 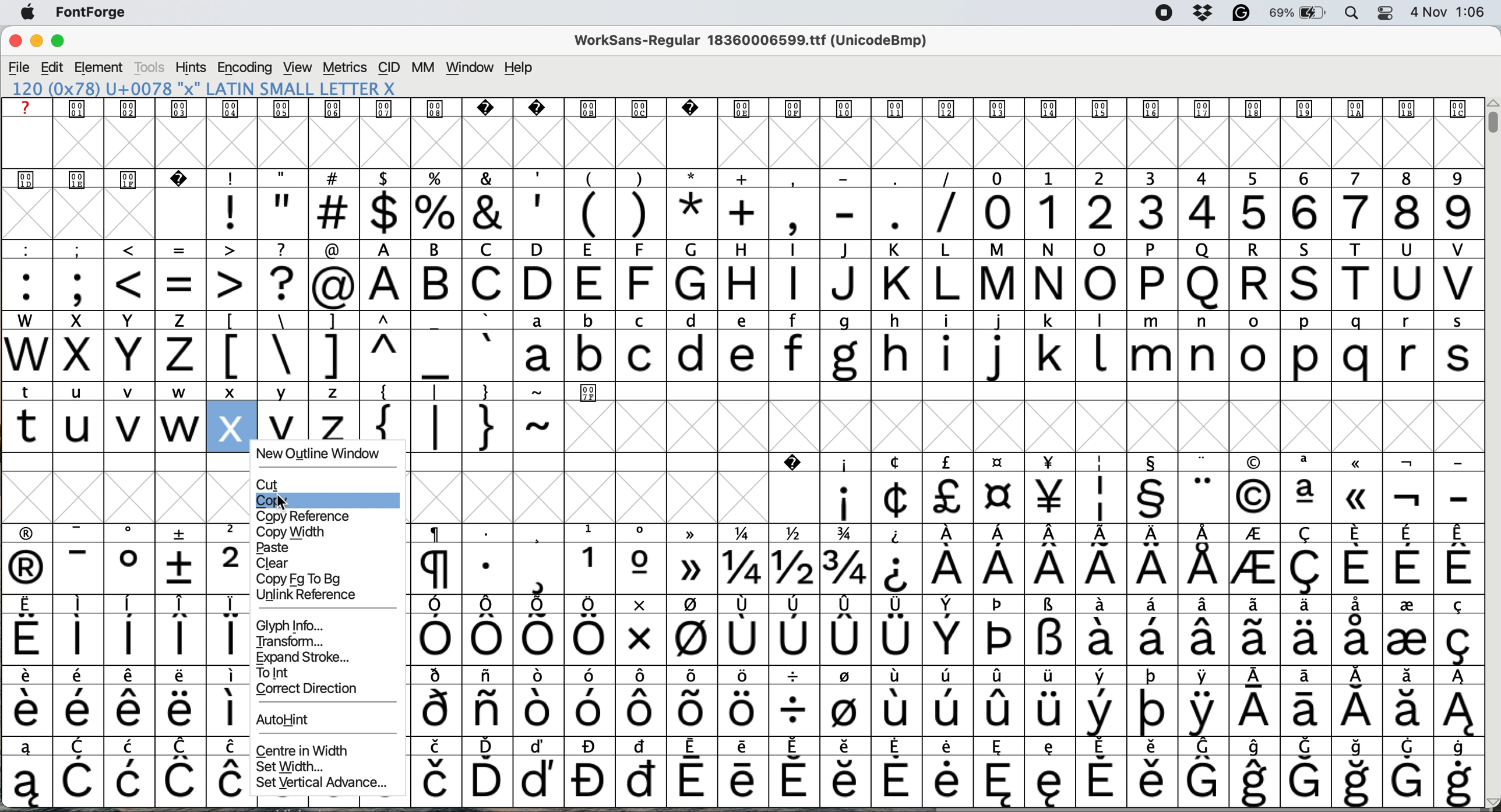 I want to click on battery, so click(x=1298, y=13).